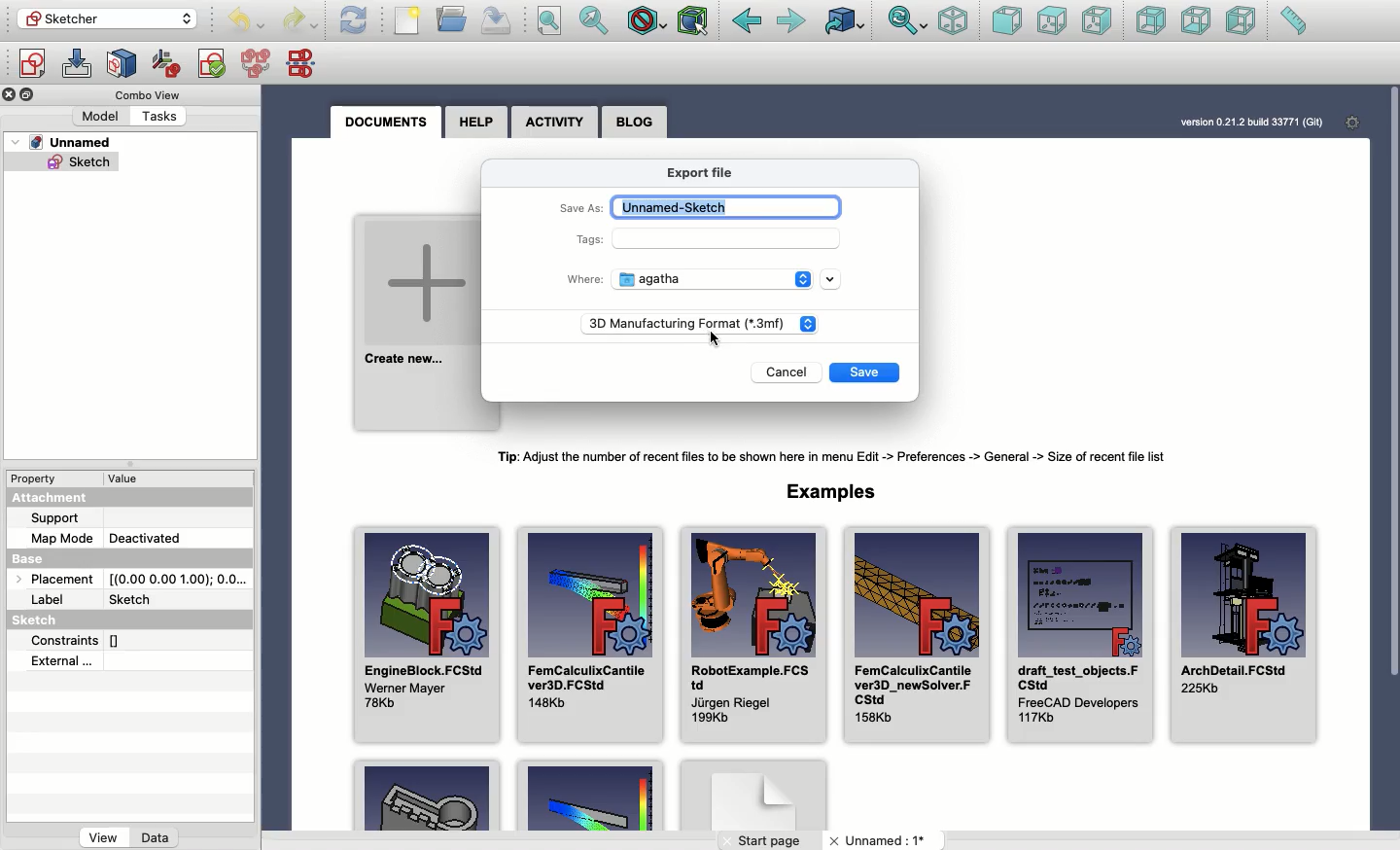  Describe the element at coordinates (82, 640) in the screenshot. I see `Constraints []` at that location.